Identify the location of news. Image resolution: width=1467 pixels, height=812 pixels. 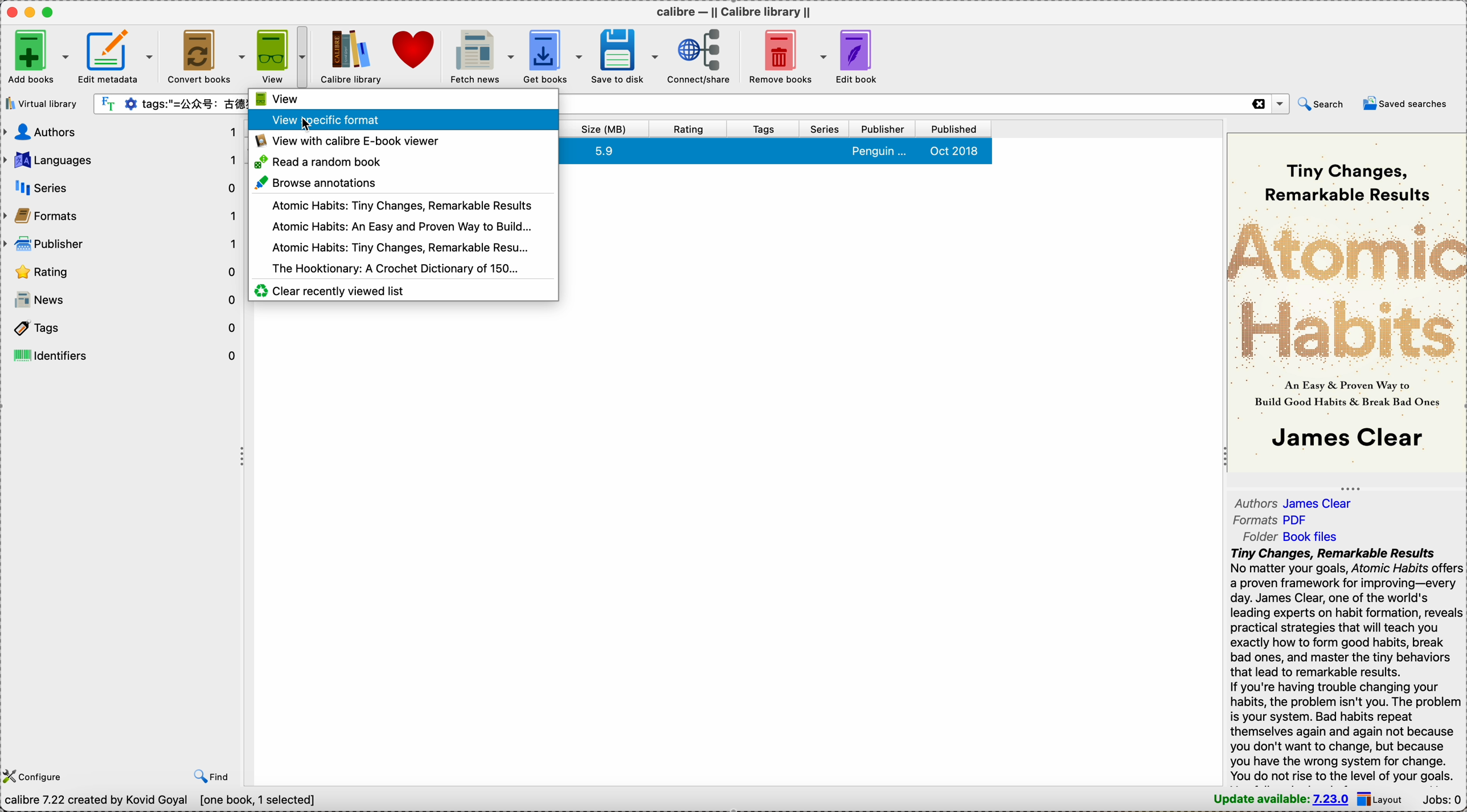
(122, 300).